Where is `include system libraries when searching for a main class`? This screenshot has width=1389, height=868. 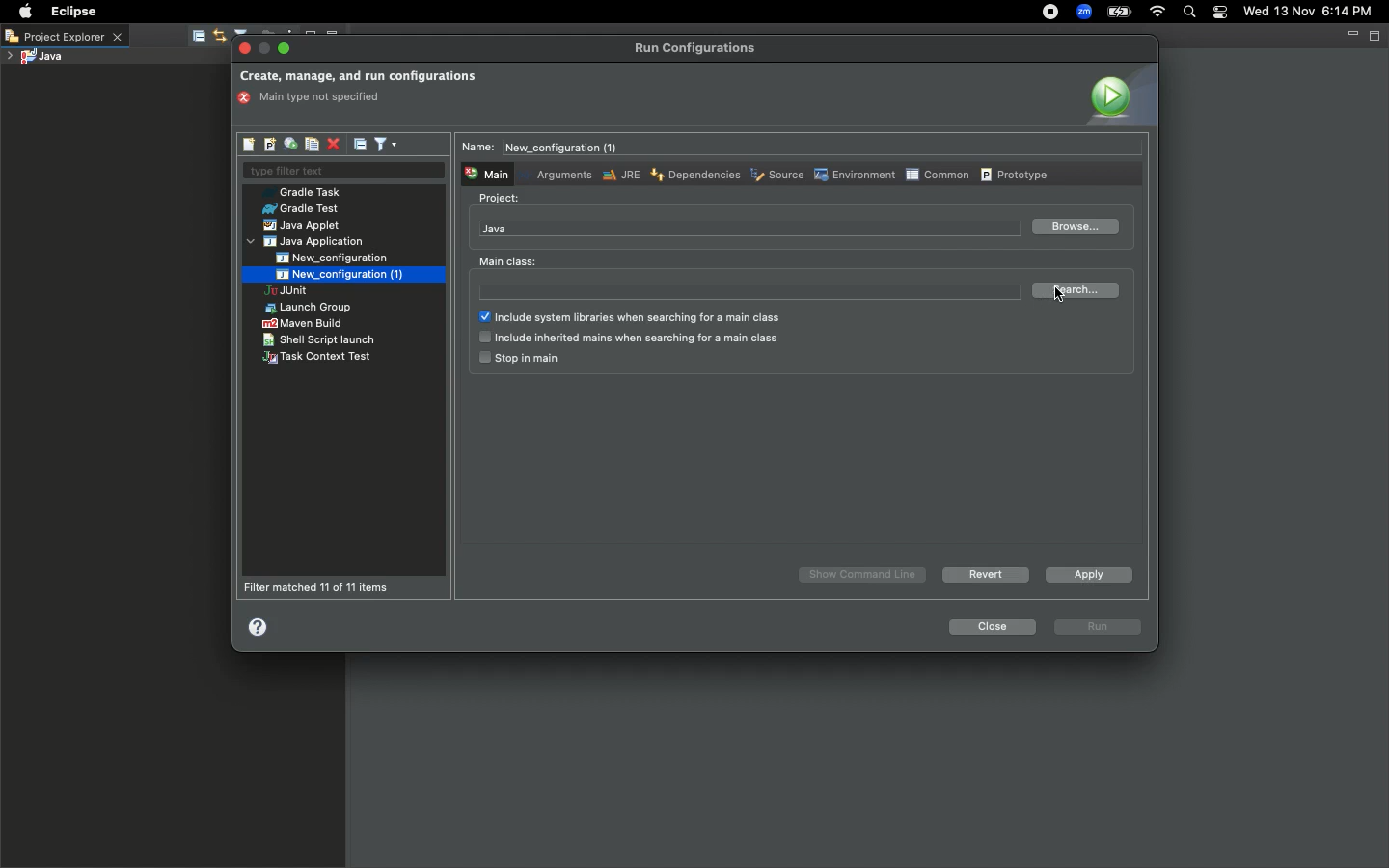 include system libraries when searching for a main class is located at coordinates (637, 318).